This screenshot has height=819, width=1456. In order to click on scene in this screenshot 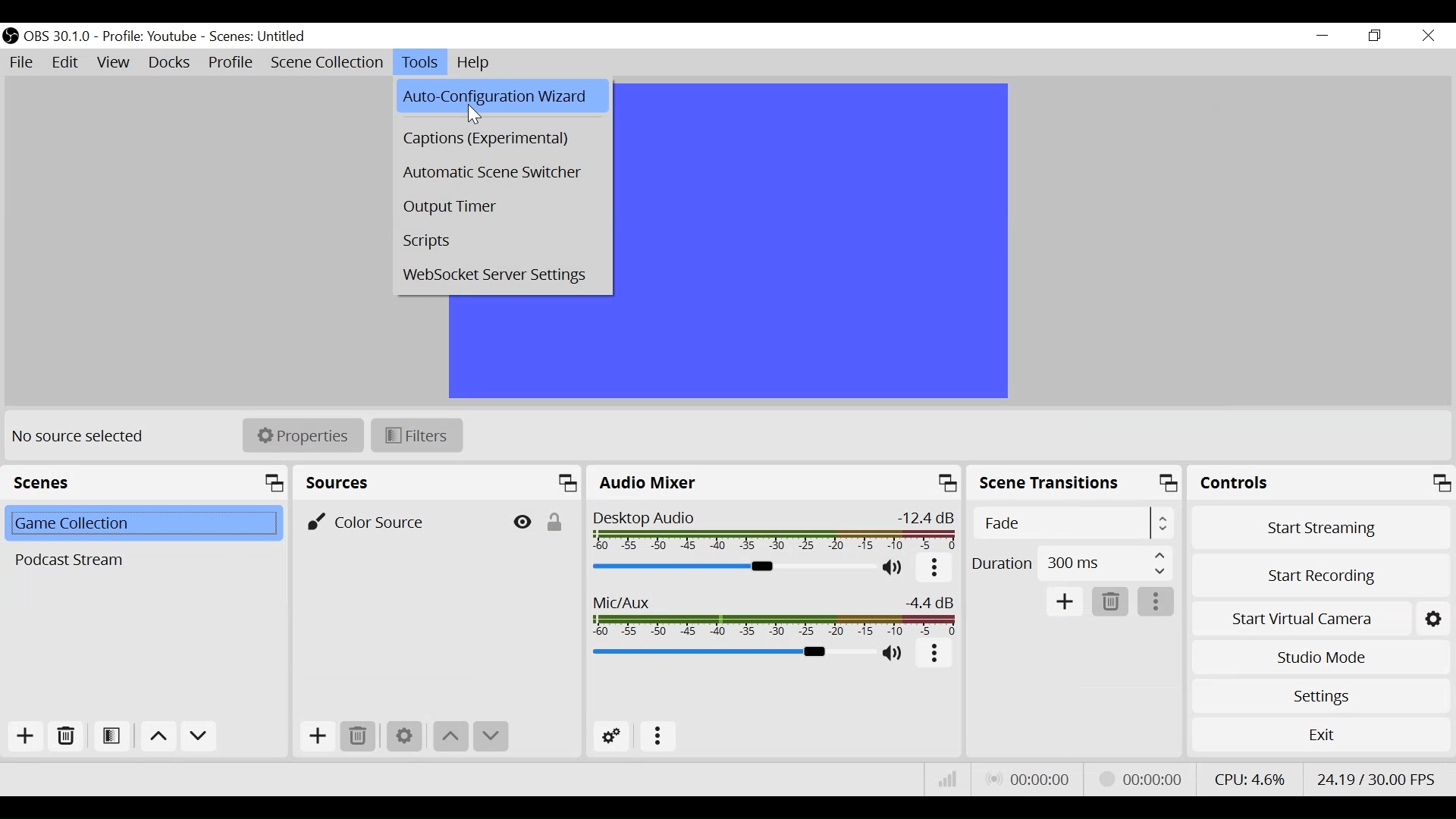, I will do `click(259, 37)`.